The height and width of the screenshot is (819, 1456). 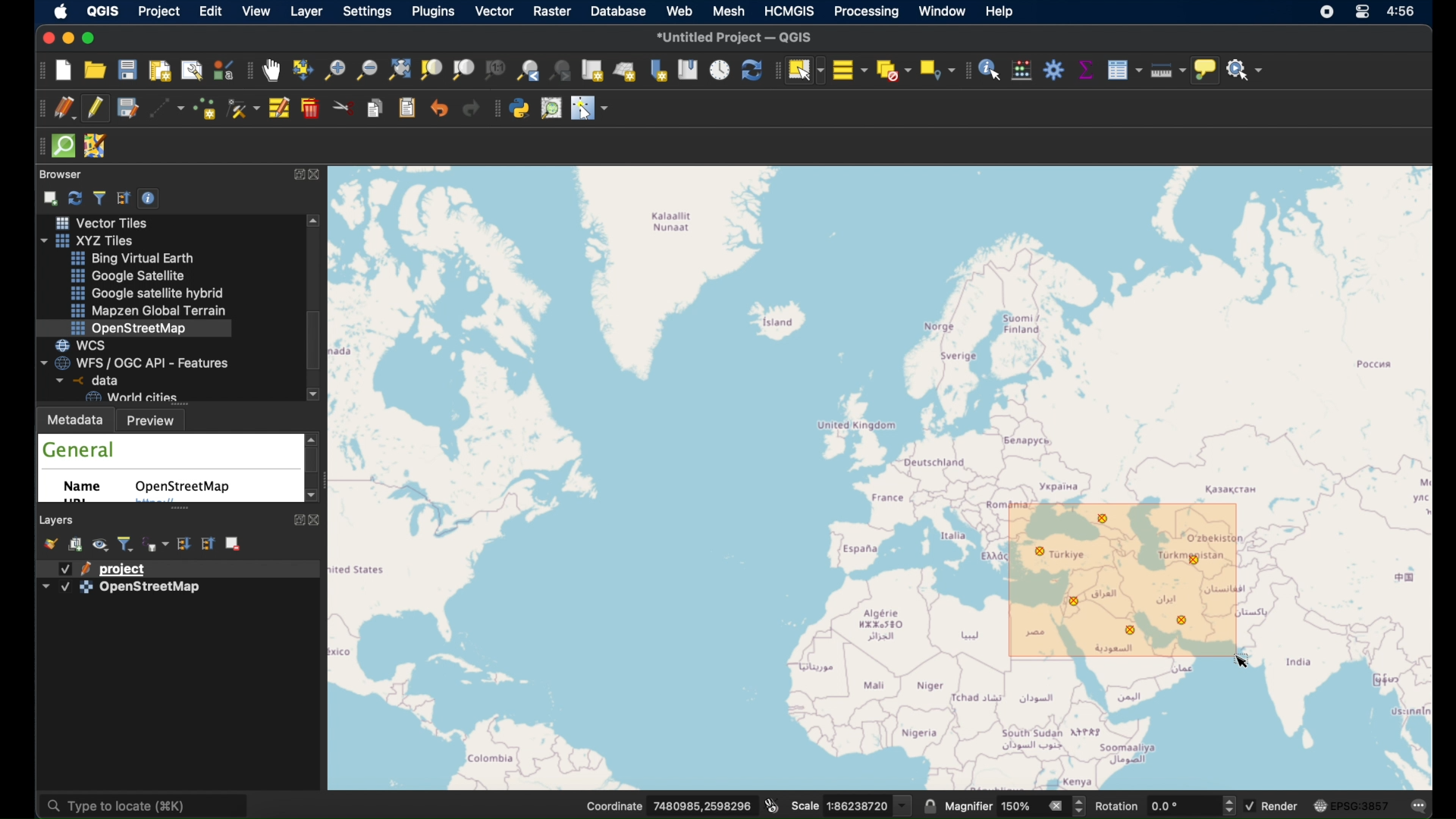 What do you see at coordinates (80, 450) in the screenshot?
I see `general` at bounding box center [80, 450].